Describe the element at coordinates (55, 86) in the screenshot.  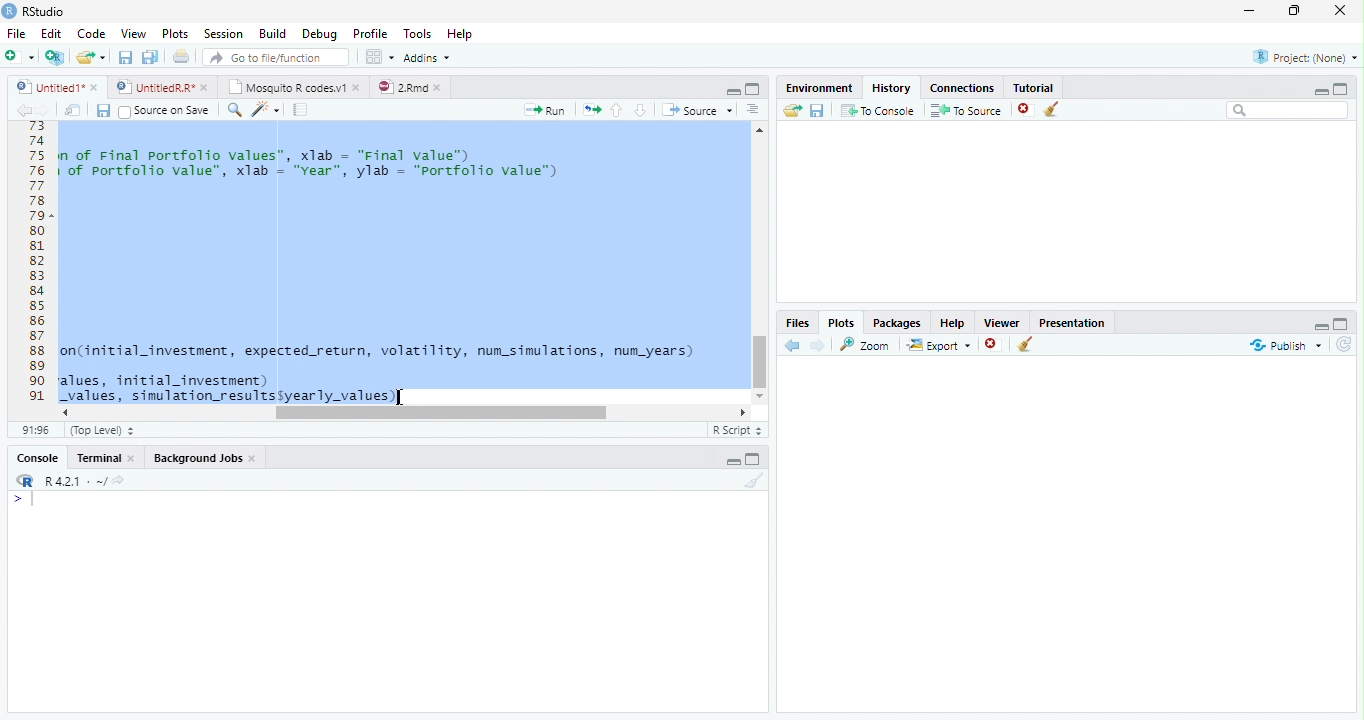
I see `Untited1*` at that location.